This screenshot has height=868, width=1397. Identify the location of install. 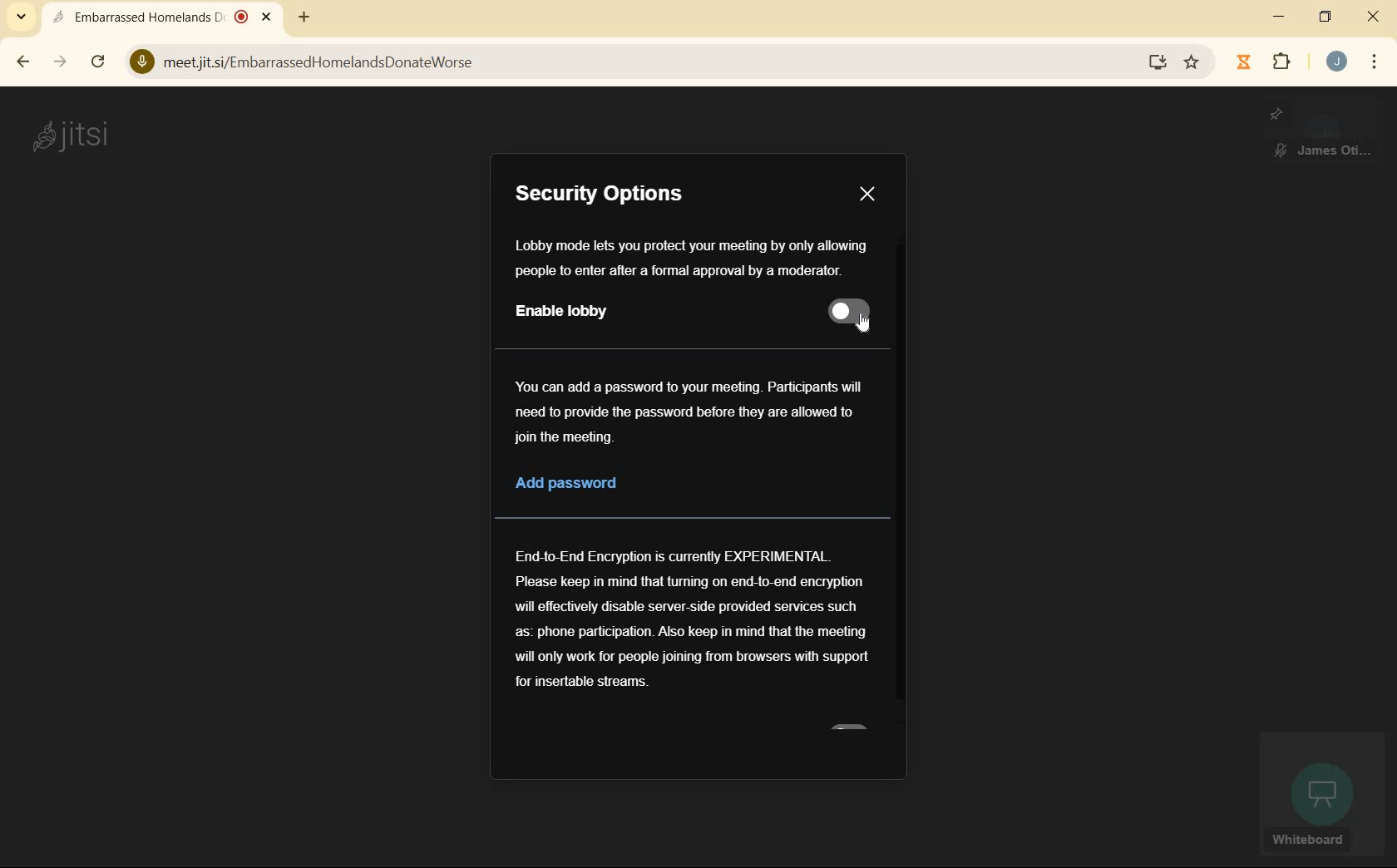
(1158, 62).